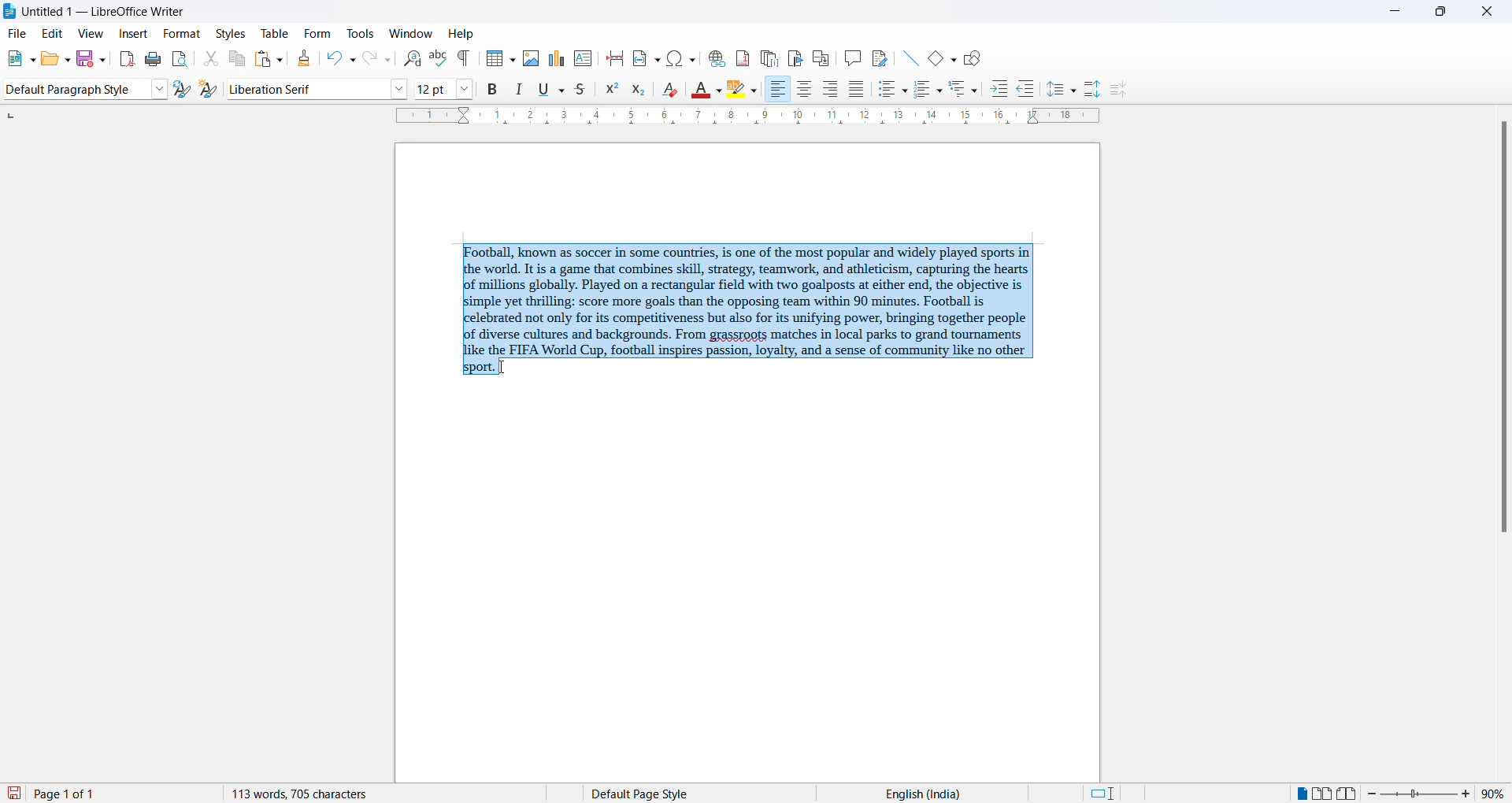 This screenshot has width=1512, height=803. I want to click on insert special character, so click(681, 61).